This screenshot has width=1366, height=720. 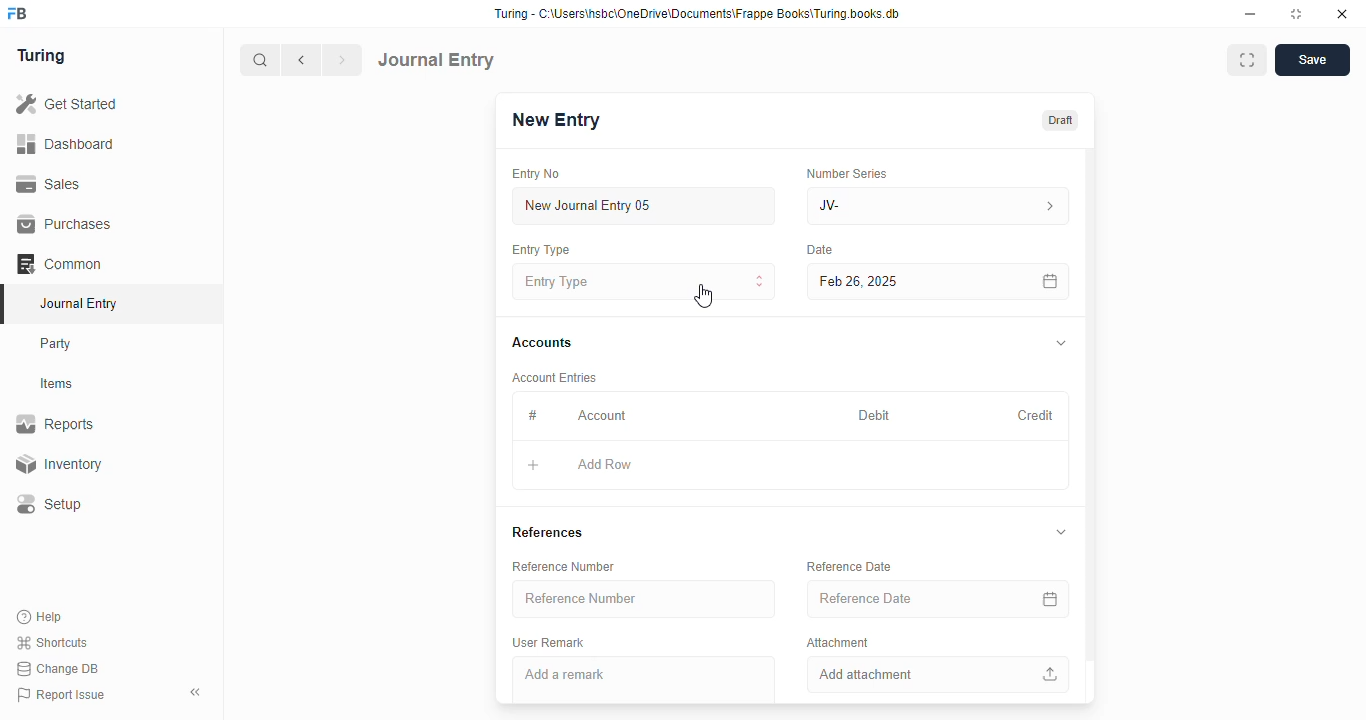 What do you see at coordinates (56, 424) in the screenshot?
I see `reports` at bounding box center [56, 424].